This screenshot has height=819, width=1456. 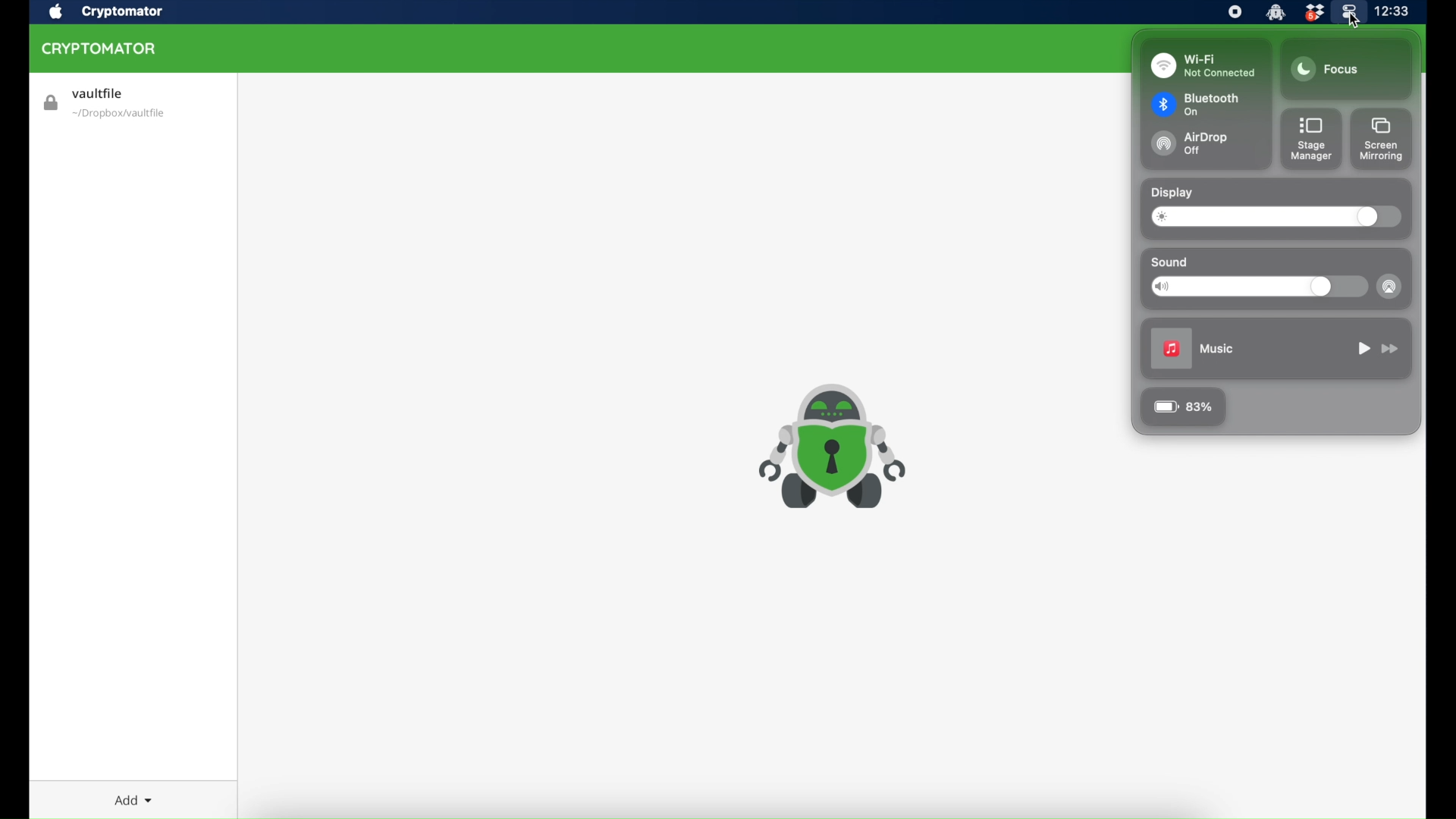 What do you see at coordinates (1348, 20) in the screenshot?
I see `cursor` at bounding box center [1348, 20].